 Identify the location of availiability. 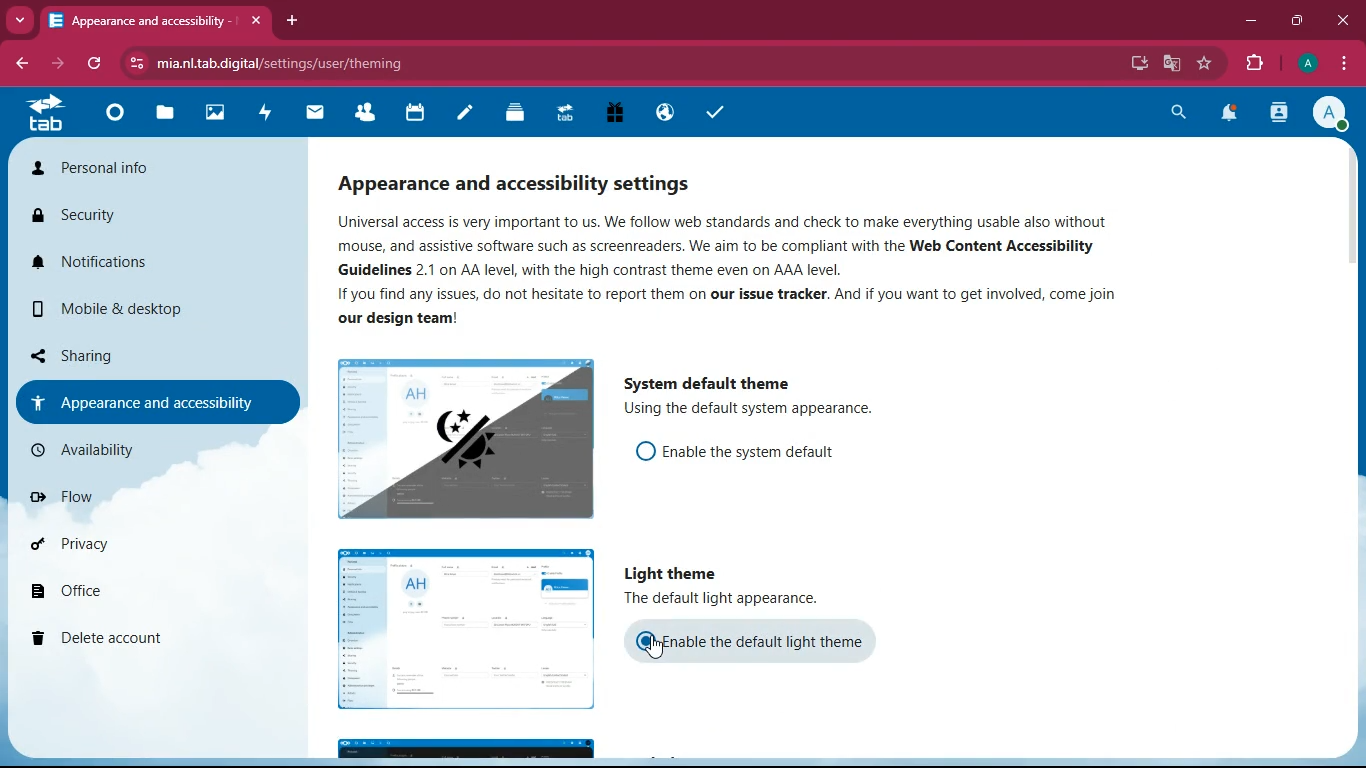
(151, 452).